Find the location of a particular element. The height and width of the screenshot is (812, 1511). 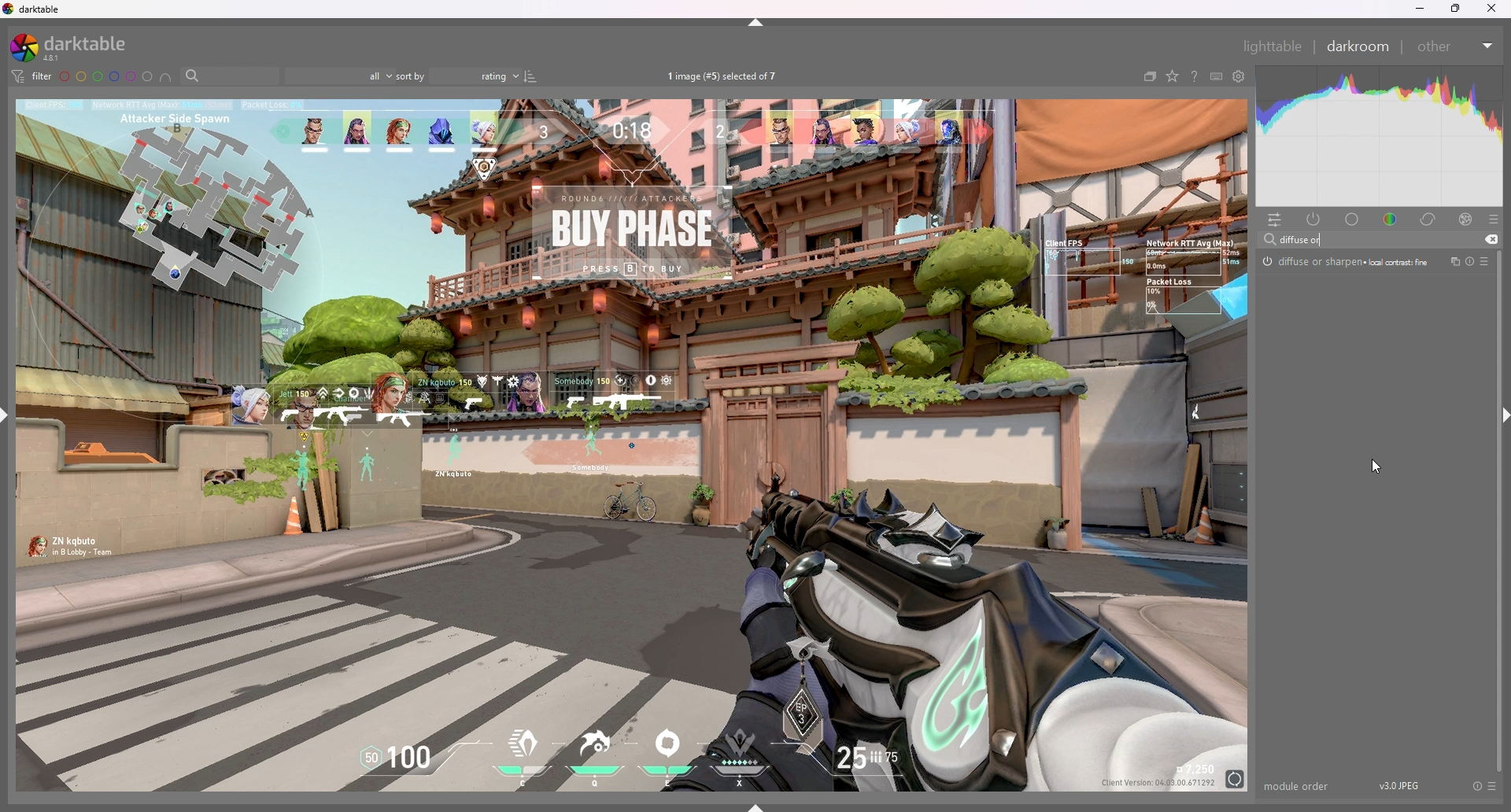

filter by images rating is located at coordinates (339, 76).